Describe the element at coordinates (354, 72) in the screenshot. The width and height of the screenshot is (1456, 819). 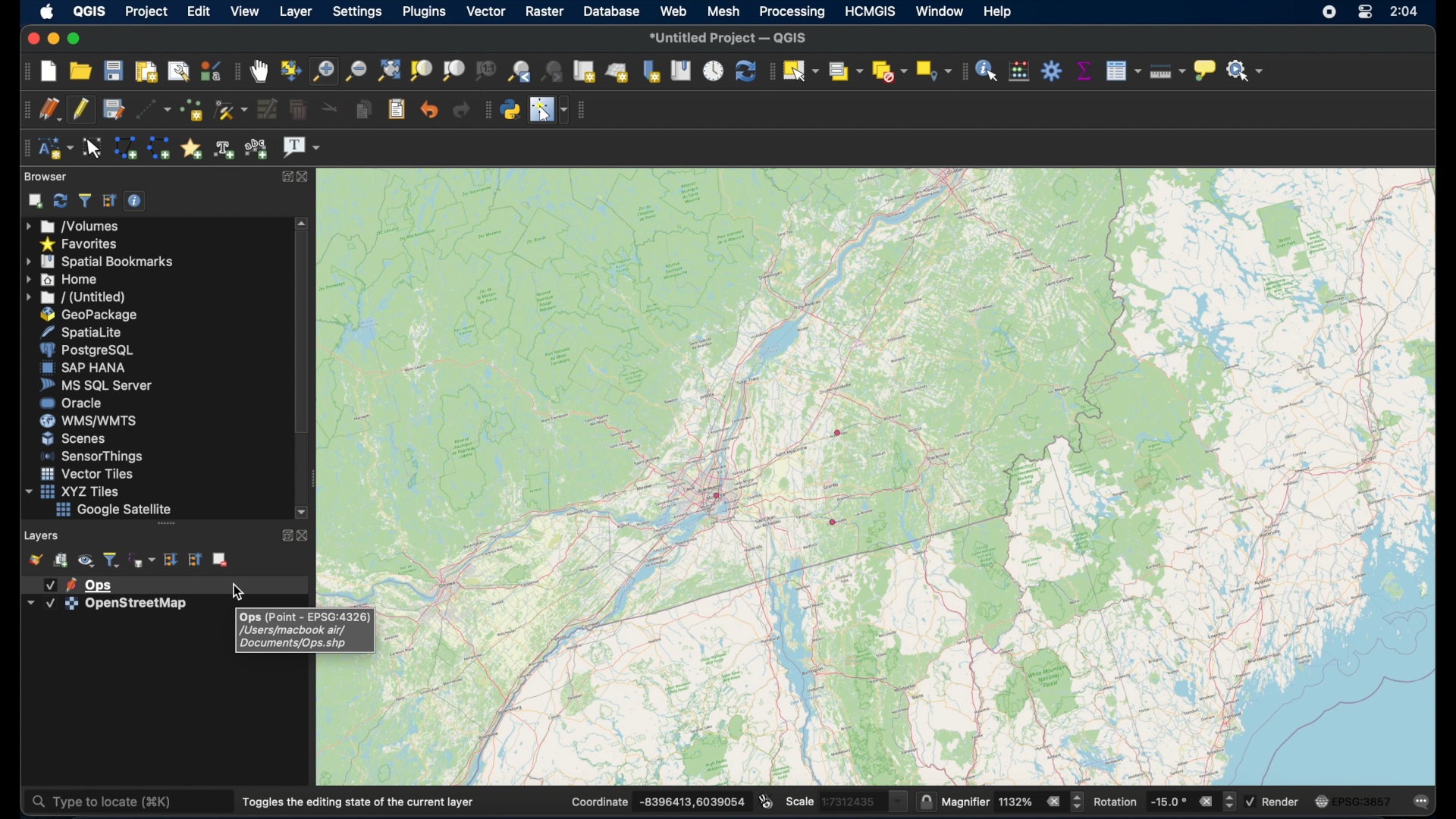
I see `zoom out` at that location.